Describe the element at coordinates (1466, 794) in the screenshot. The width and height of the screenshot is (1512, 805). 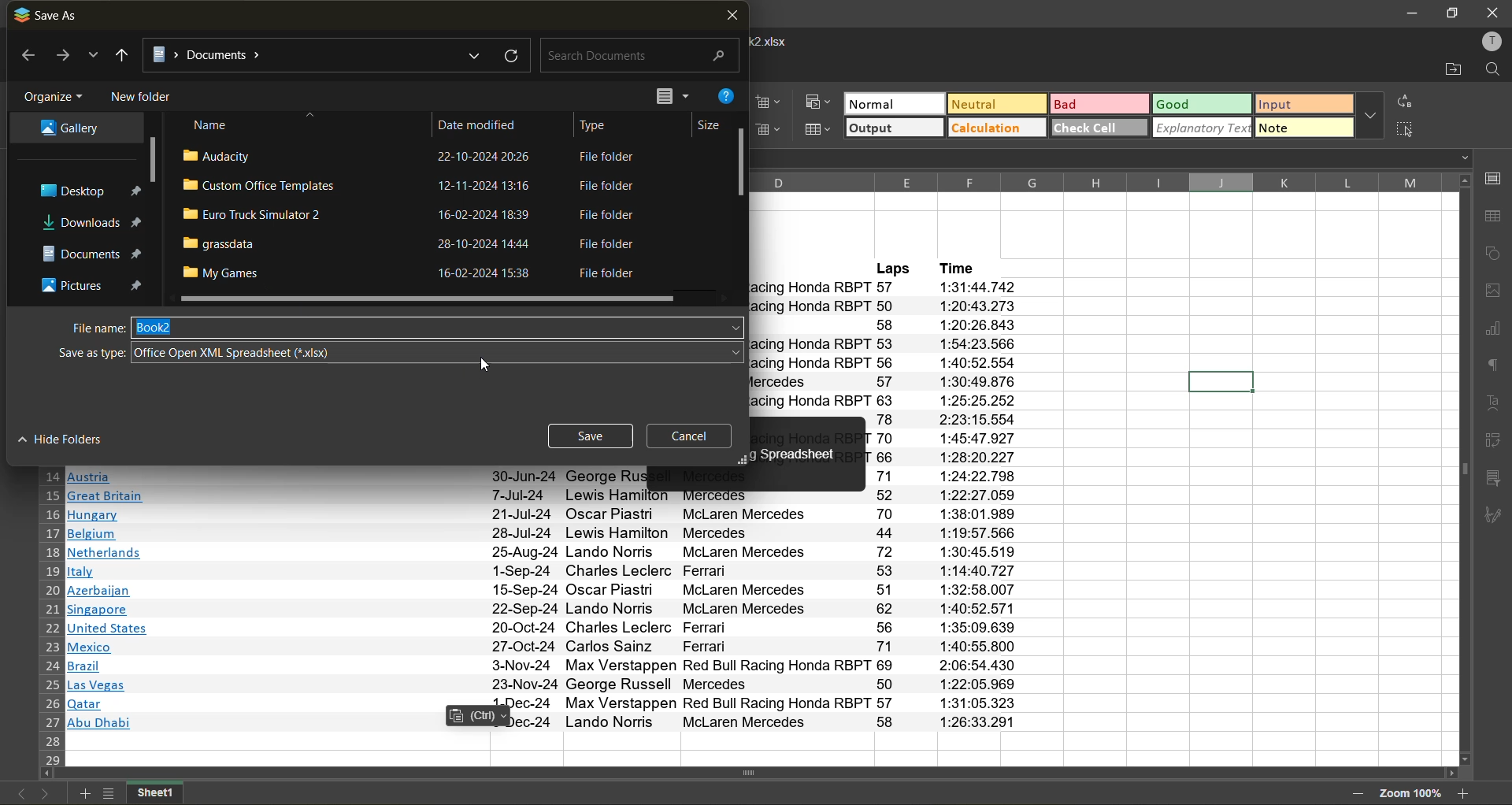
I see `zoom in` at that location.